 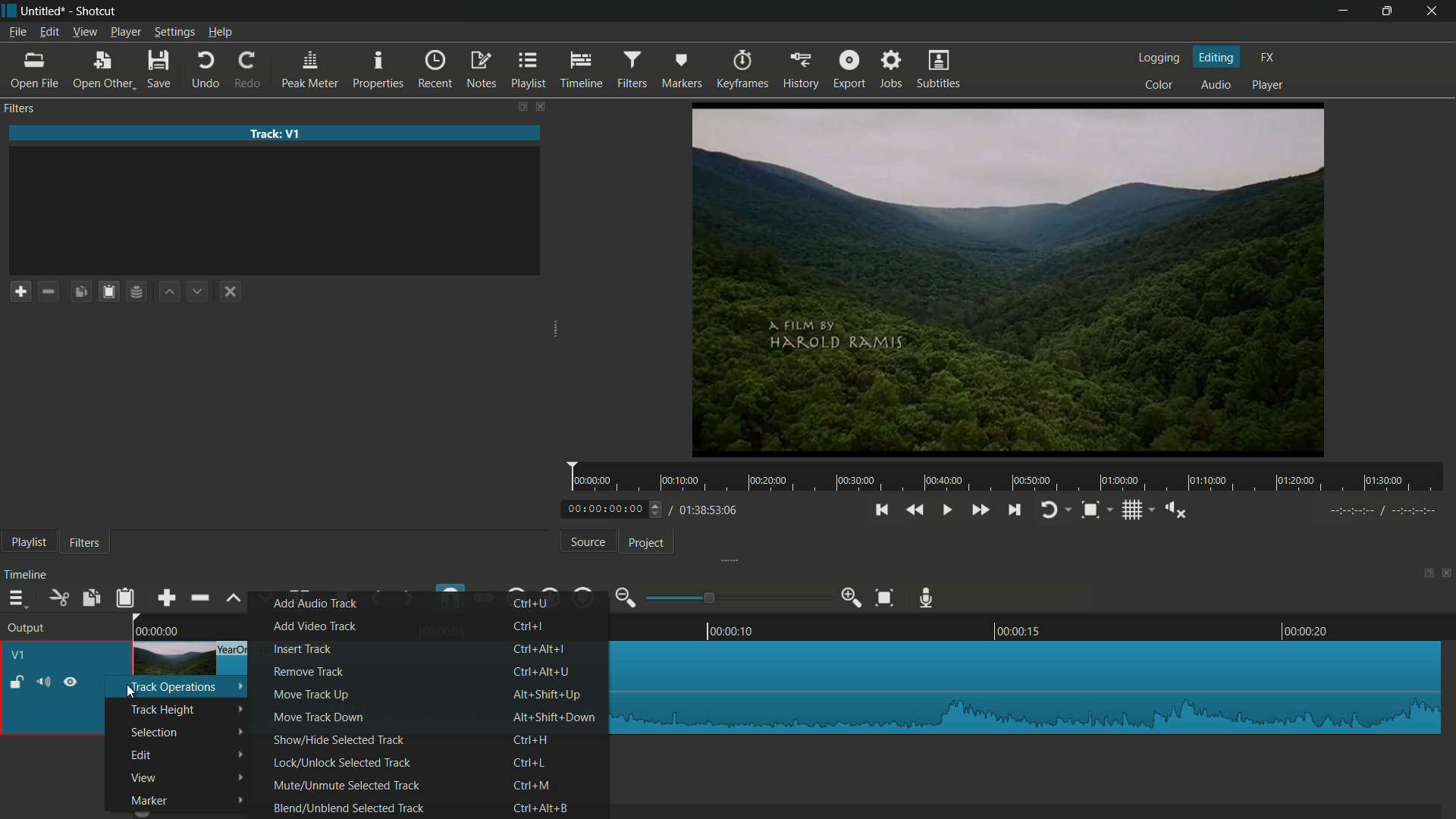 I want to click on skip to the next point, so click(x=1015, y=510).